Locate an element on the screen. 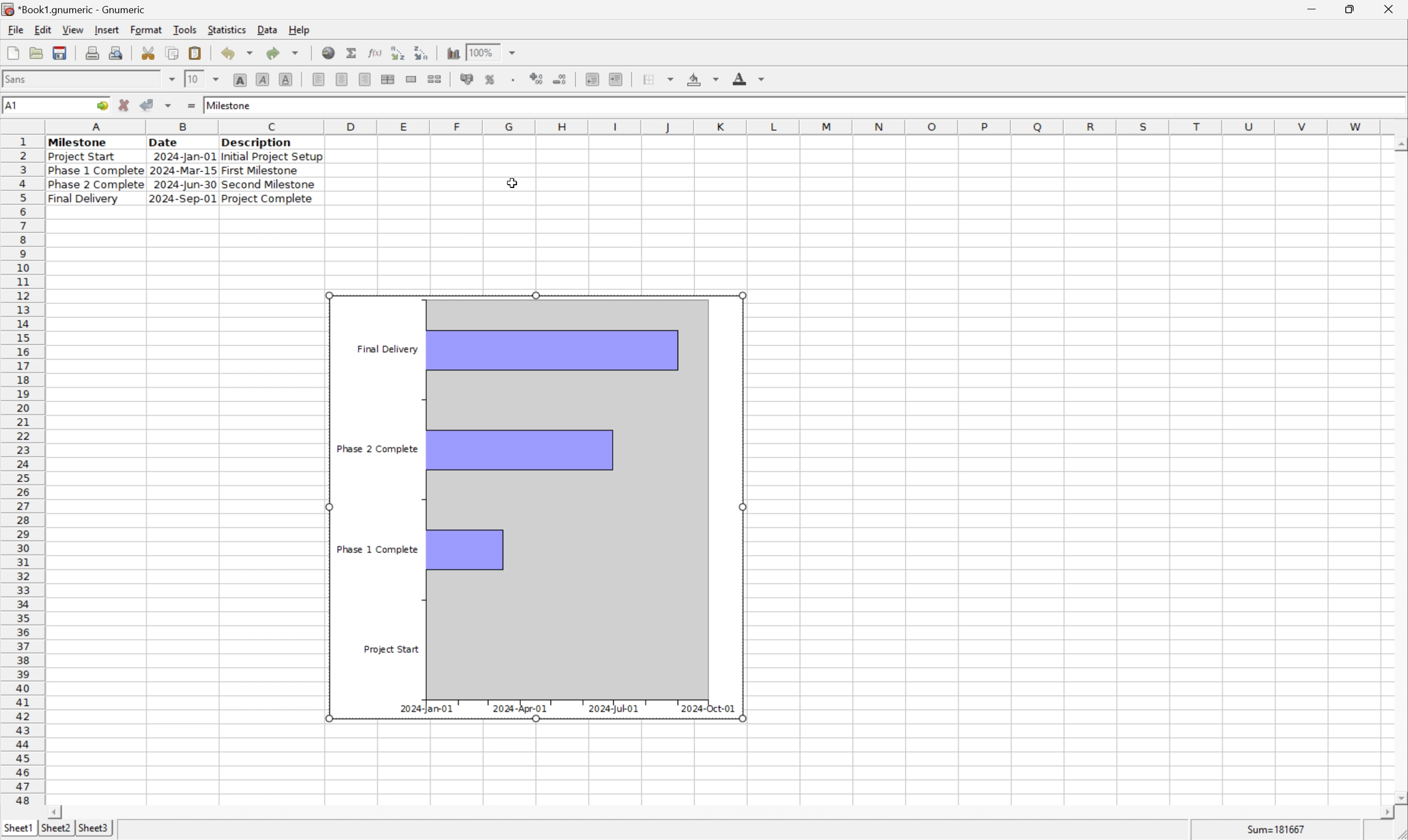 This screenshot has width=1408, height=840. data is located at coordinates (267, 27).